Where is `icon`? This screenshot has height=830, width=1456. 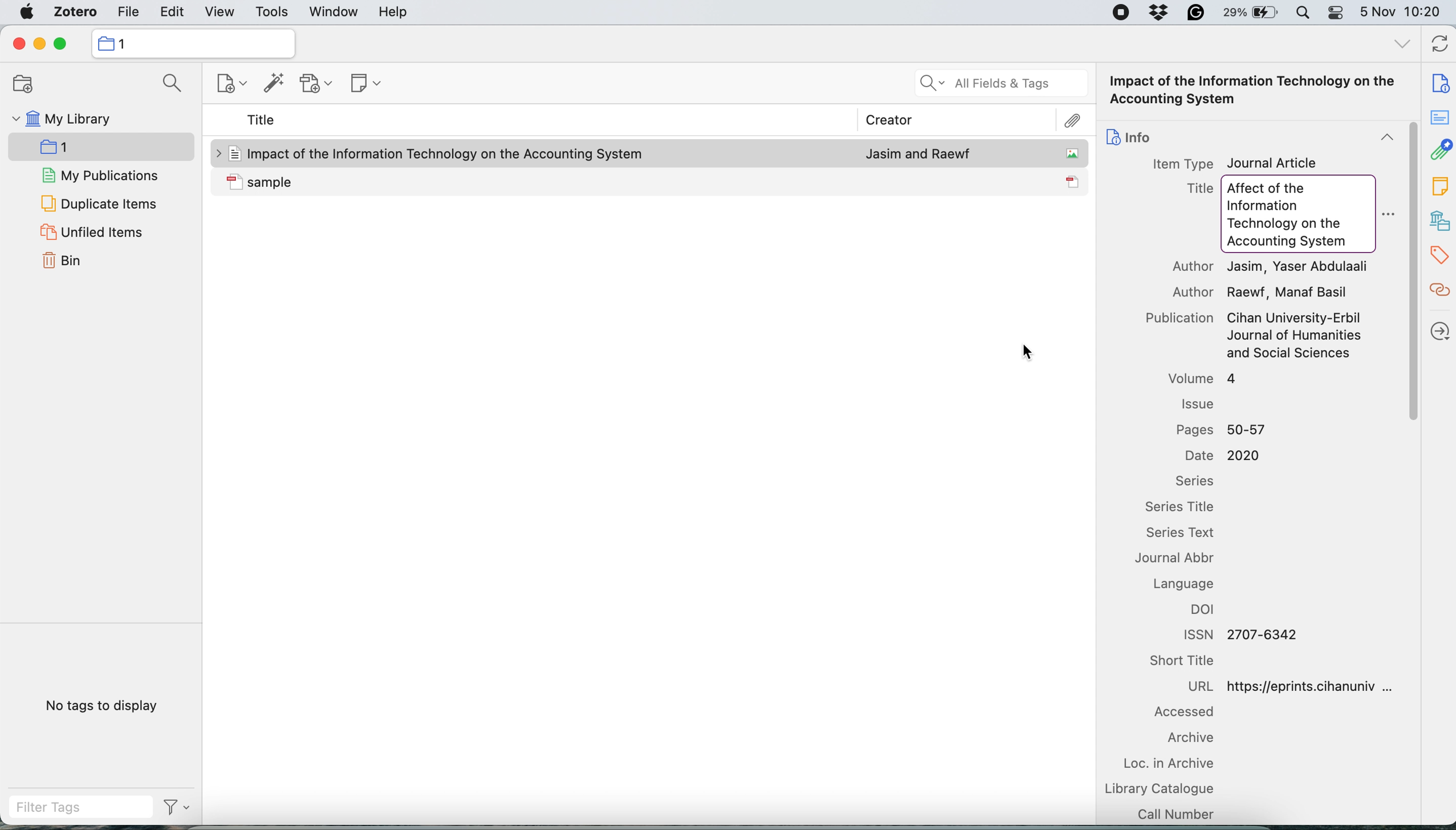
icon is located at coordinates (1073, 181).